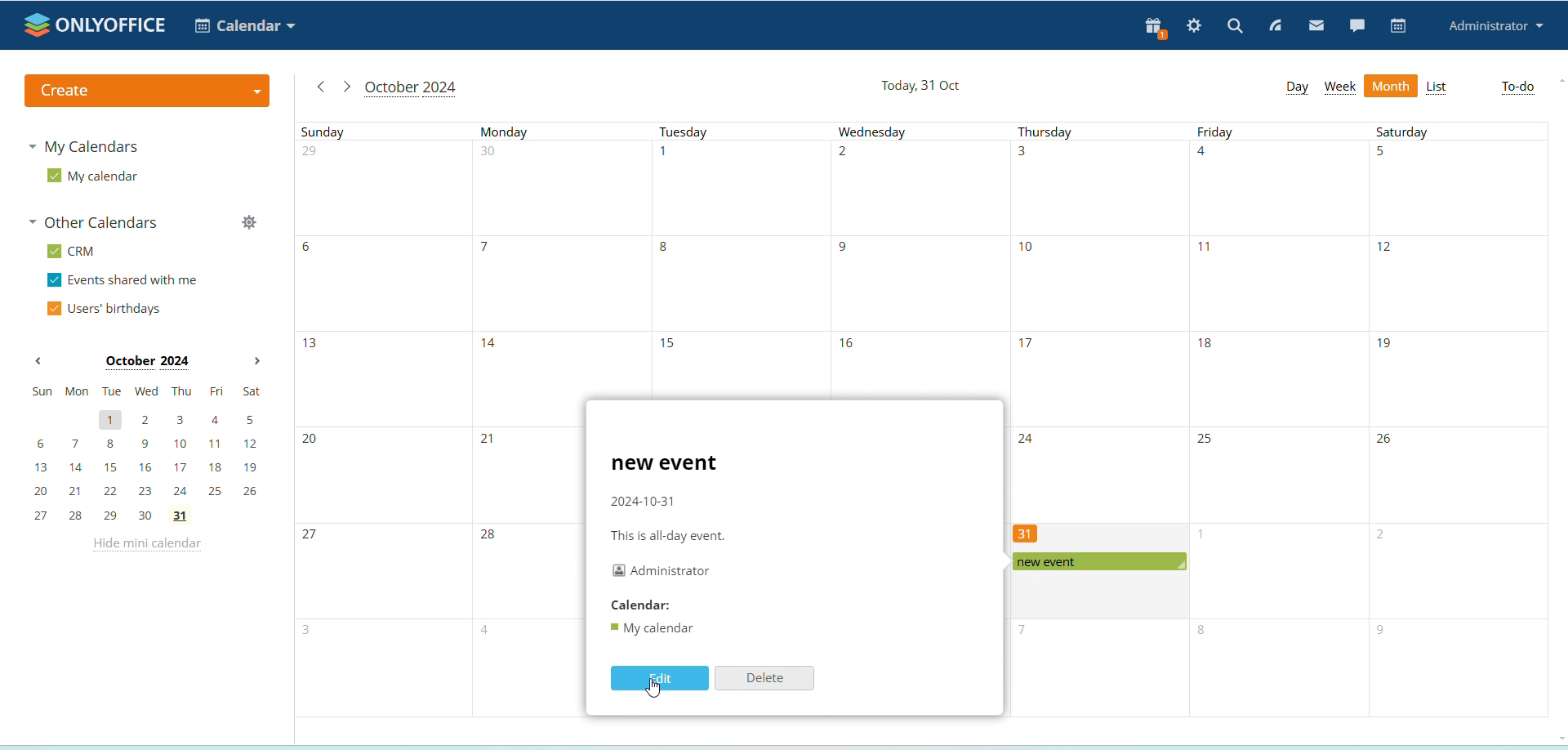  Describe the element at coordinates (1235, 25) in the screenshot. I see `search` at that location.